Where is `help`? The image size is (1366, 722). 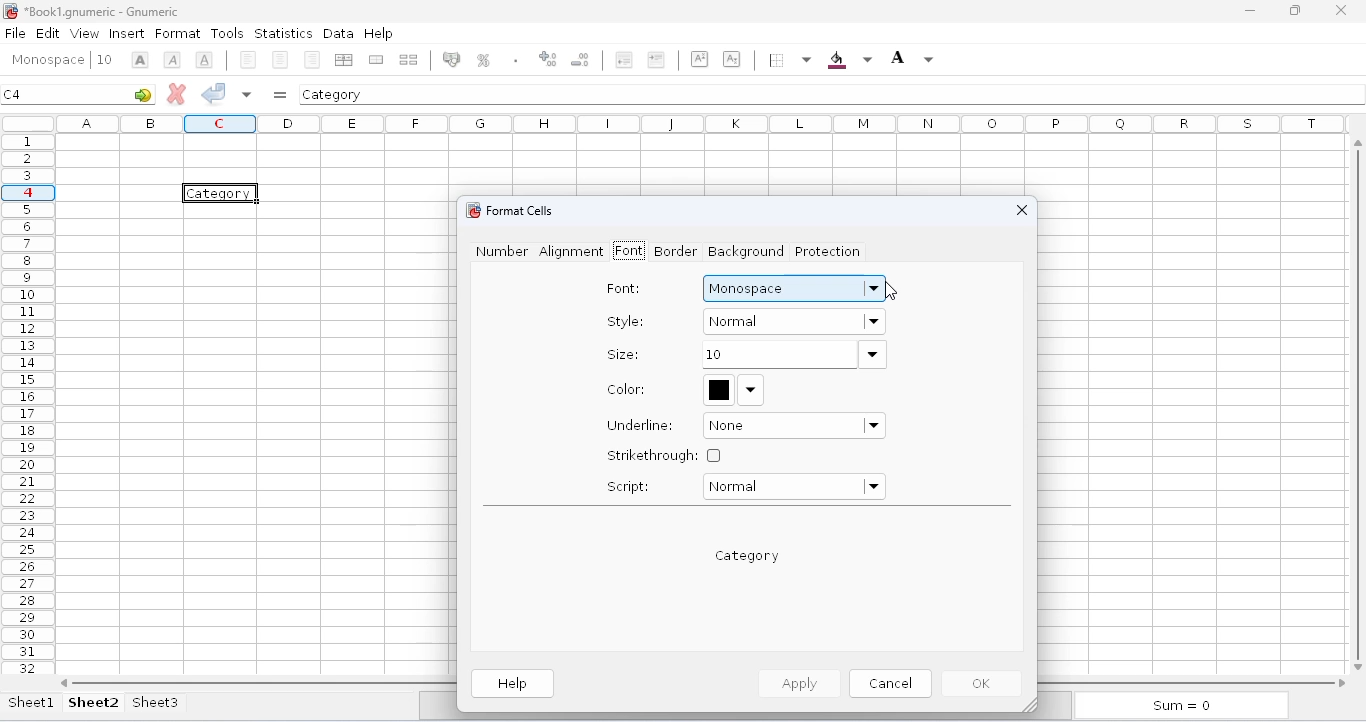
help is located at coordinates (378, 32).